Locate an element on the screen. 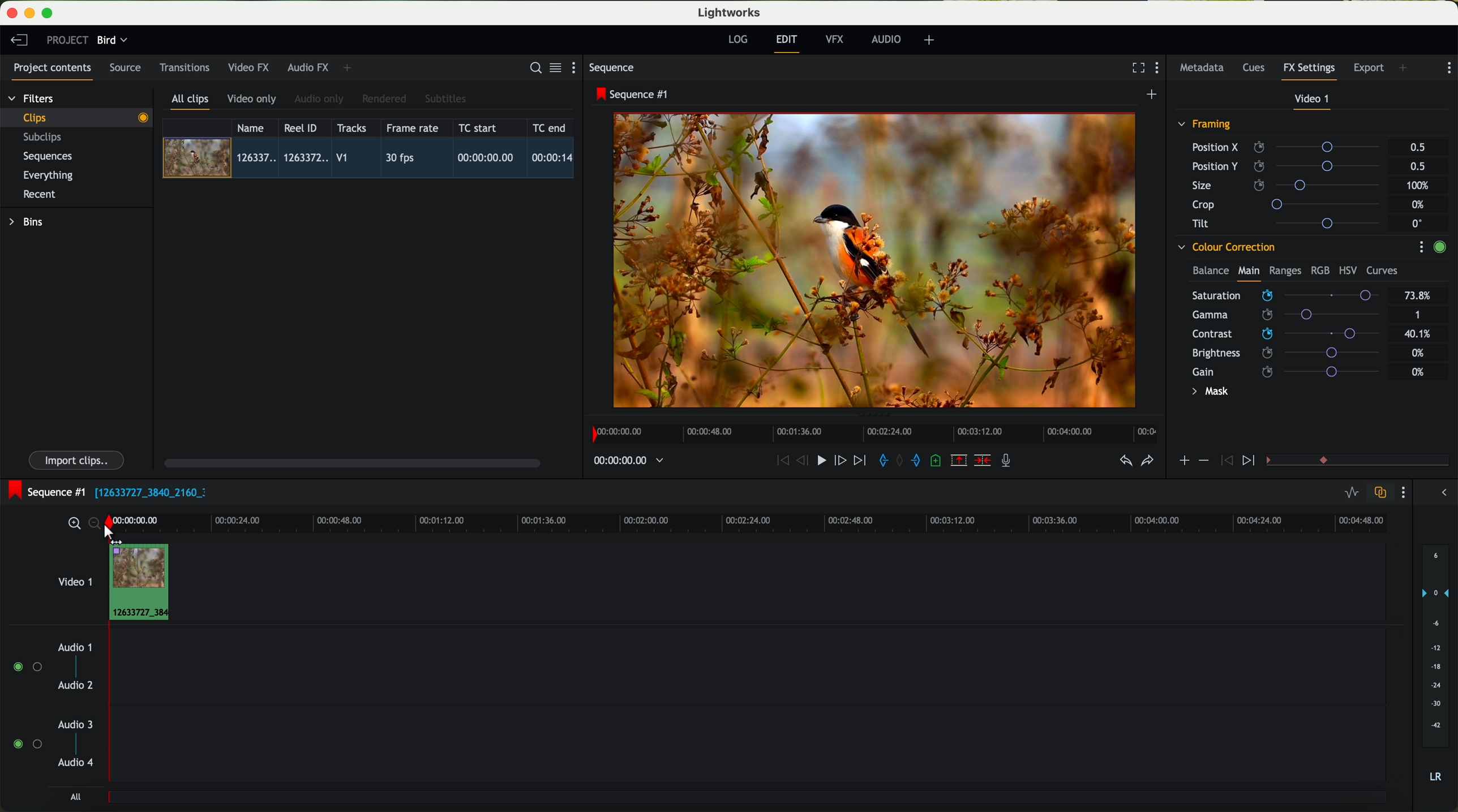 This screenshot has width=1458, height=812. cues is located at coordinates (1257, 68).